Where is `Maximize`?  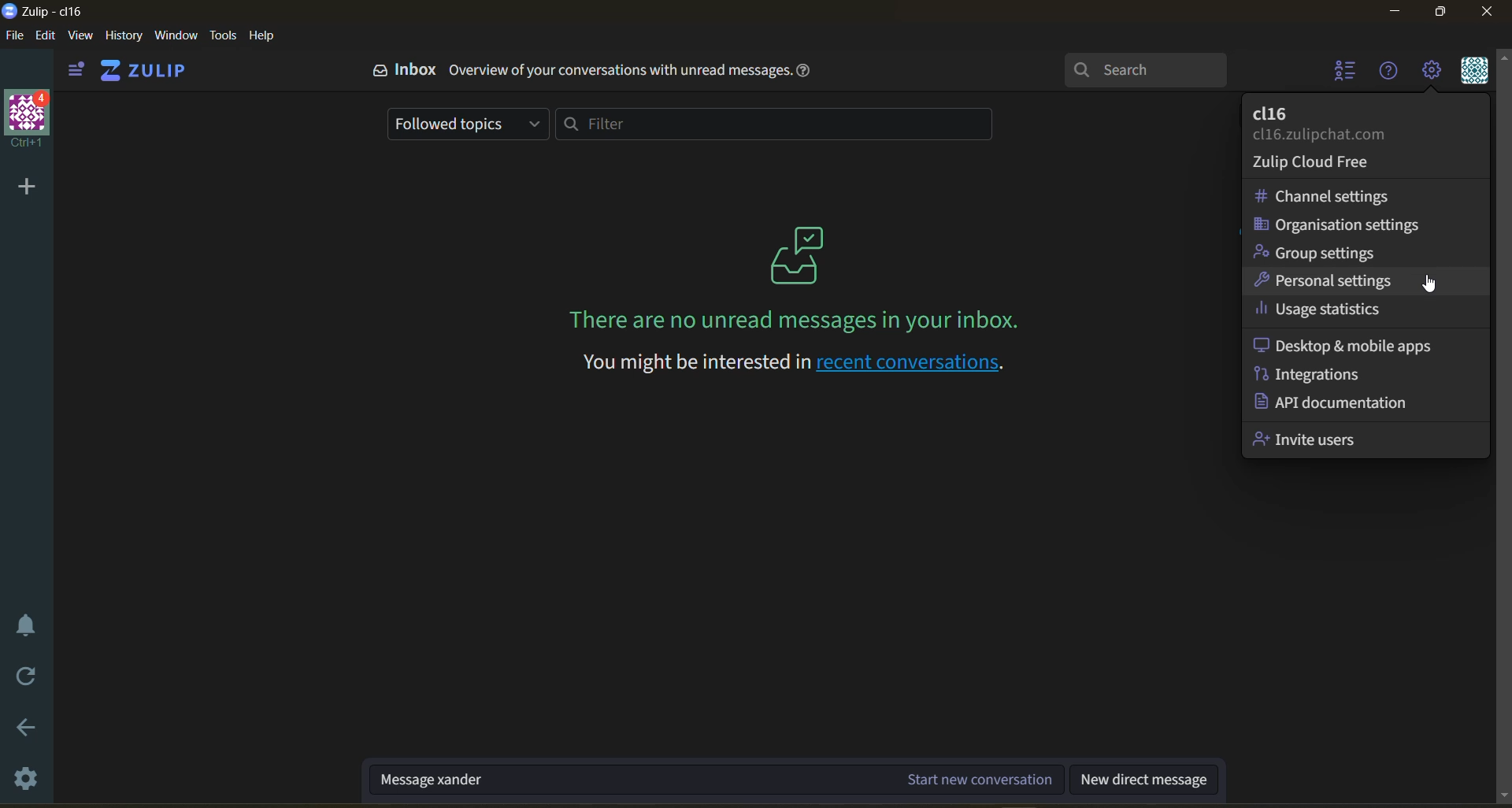 Maximize is located at coordinates (1444, 15).